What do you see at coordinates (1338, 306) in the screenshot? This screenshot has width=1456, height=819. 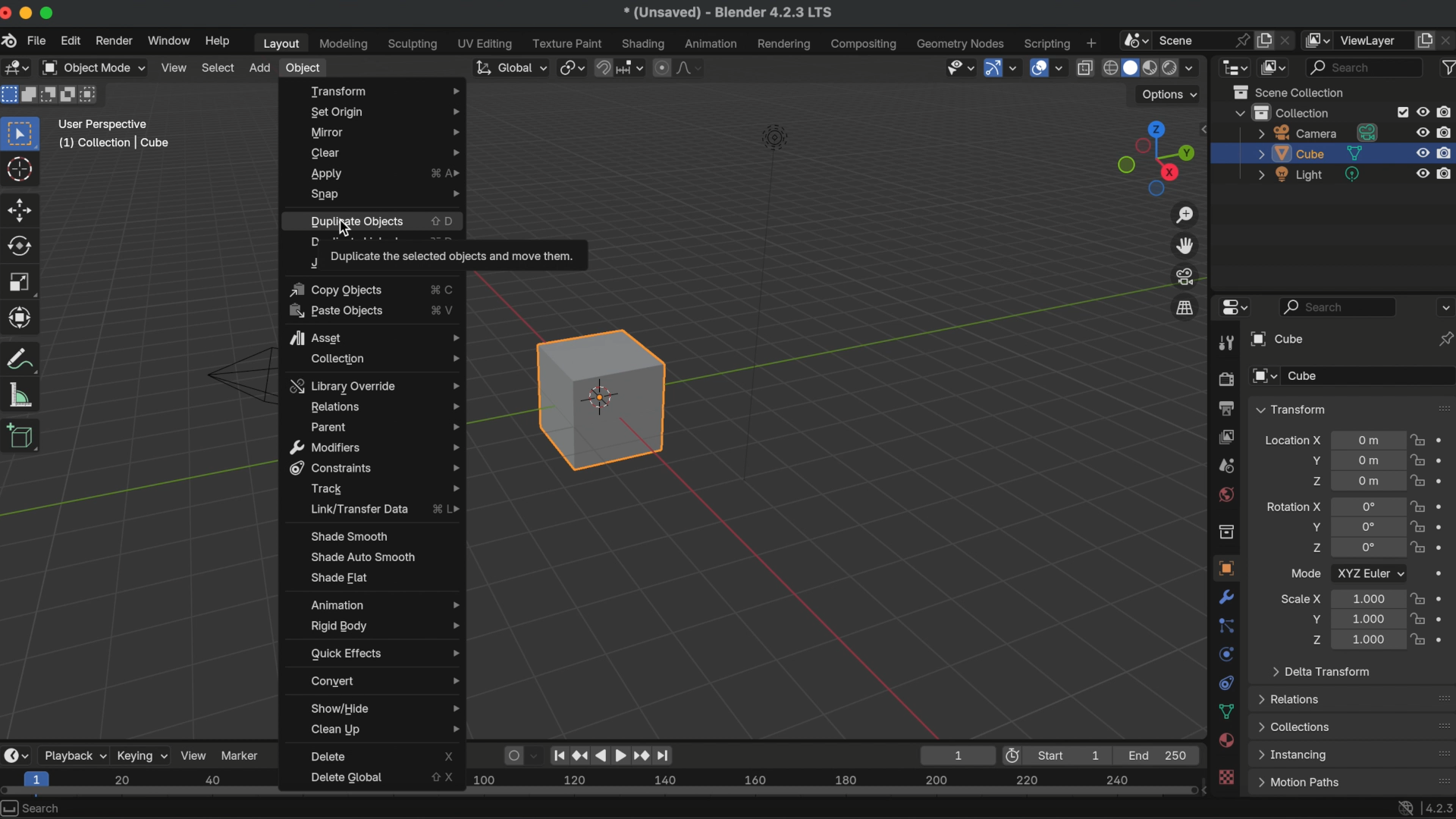 I see `search bar` at bounding box center [1338, 306].